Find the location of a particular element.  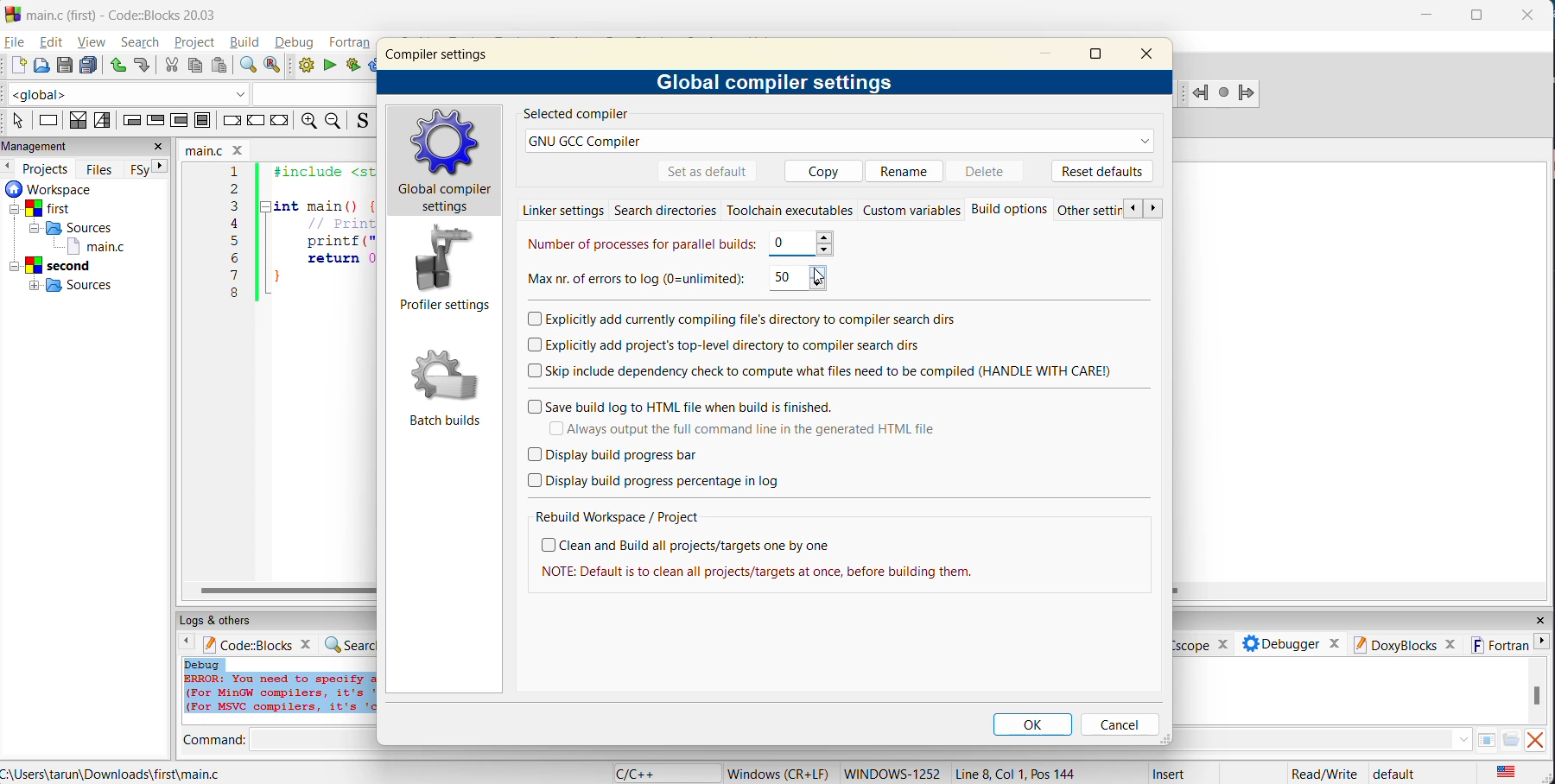

Line 8, Col 1, Pos 144 is located at coordinates (1016, 773).